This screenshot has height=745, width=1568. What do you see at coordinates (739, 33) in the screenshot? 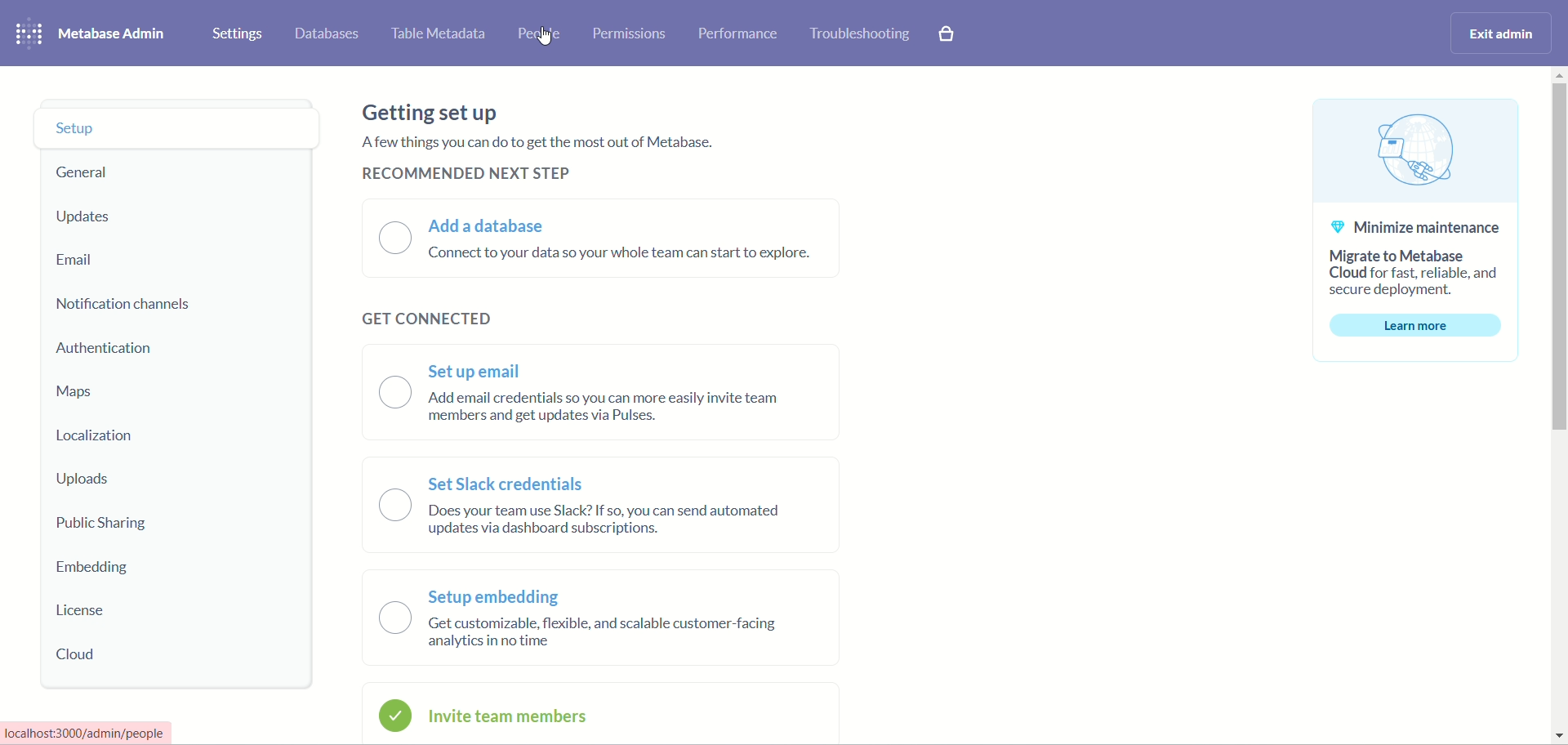
I see `performance` at bounding box center [739, 33].